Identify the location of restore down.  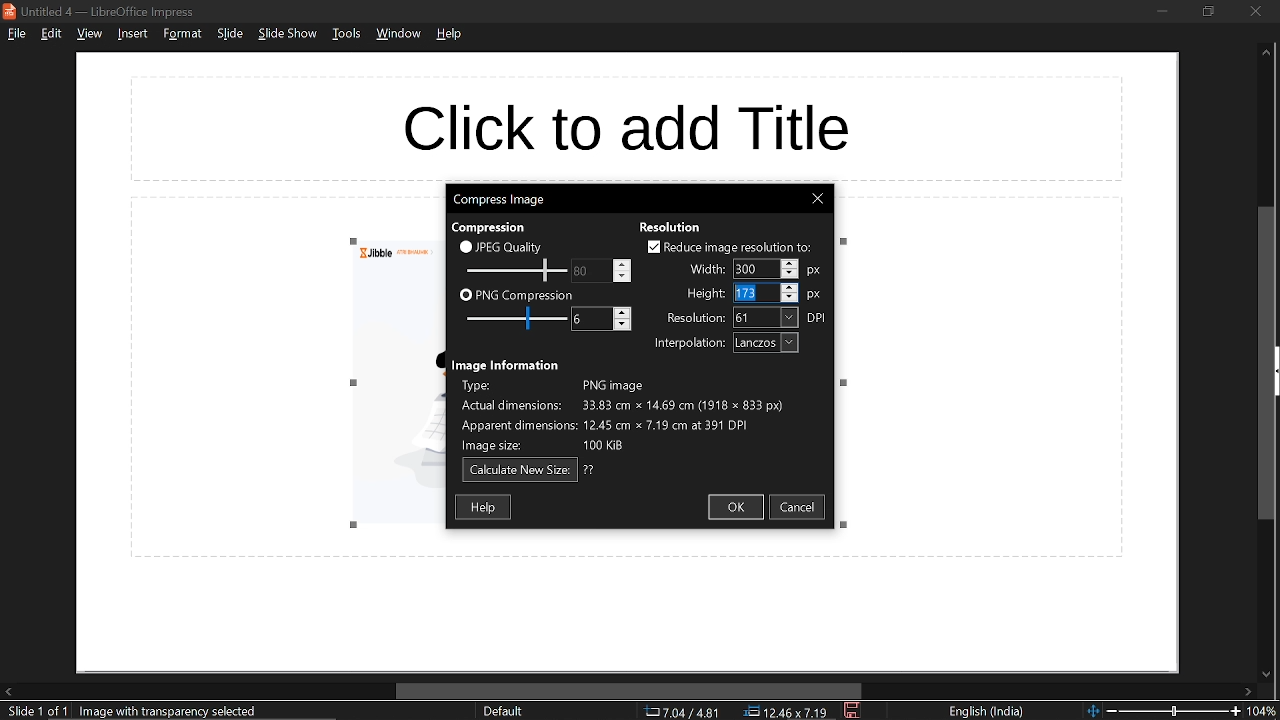
(1210, 12).